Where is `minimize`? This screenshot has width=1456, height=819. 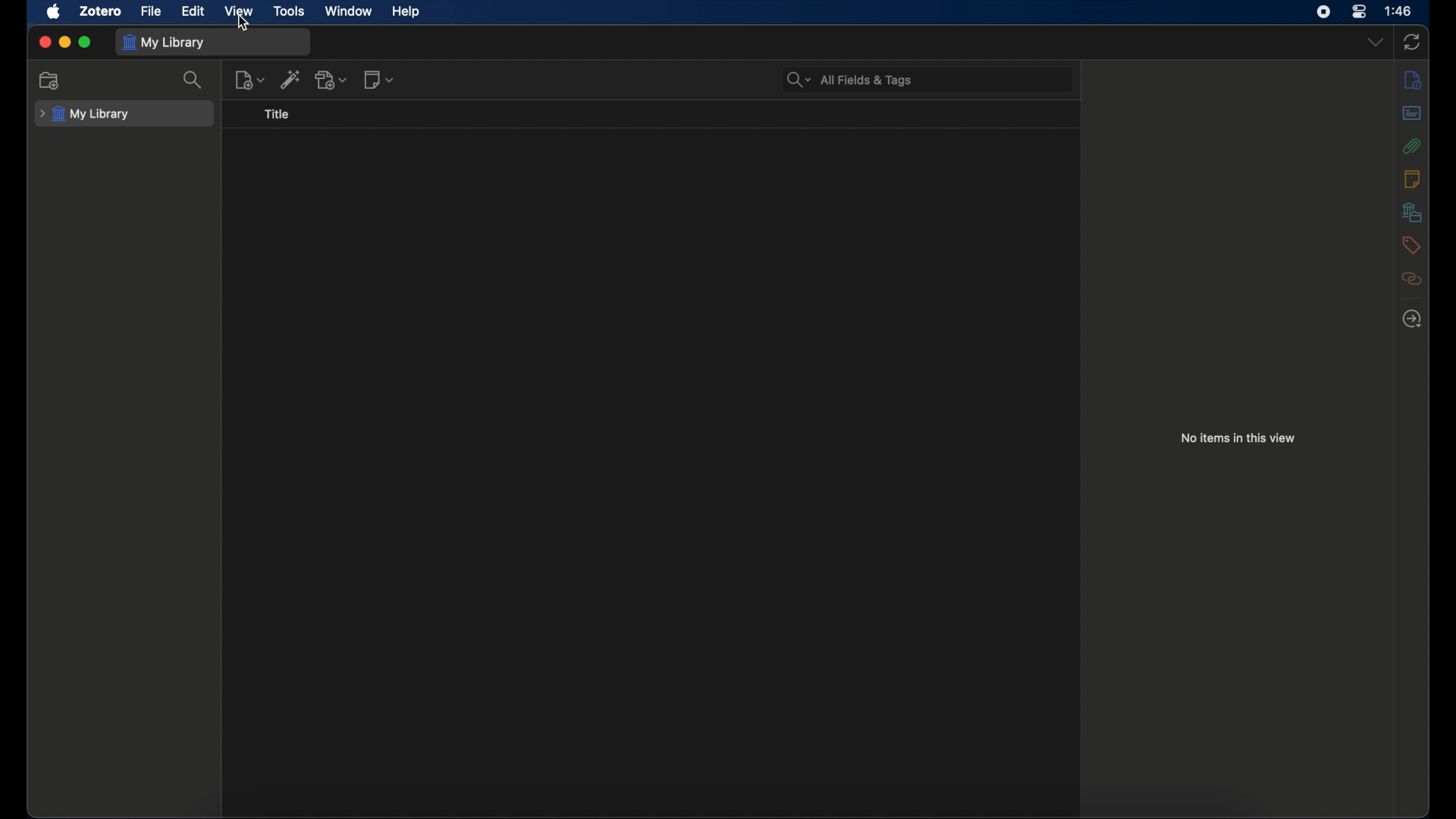 minimize is located at coordinates (64, 42).